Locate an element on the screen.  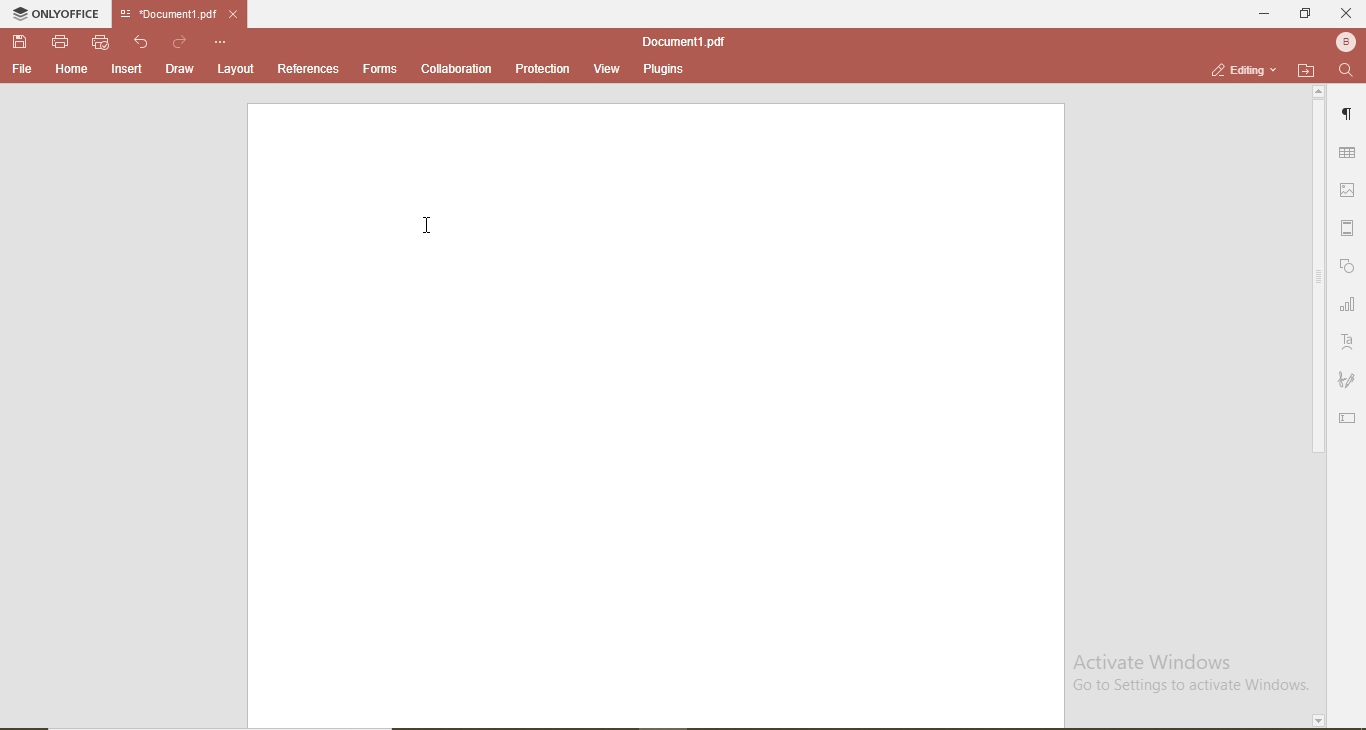
Activate Windows
Go to Settings to activate Windows. is located at coordinates (1188, 676).